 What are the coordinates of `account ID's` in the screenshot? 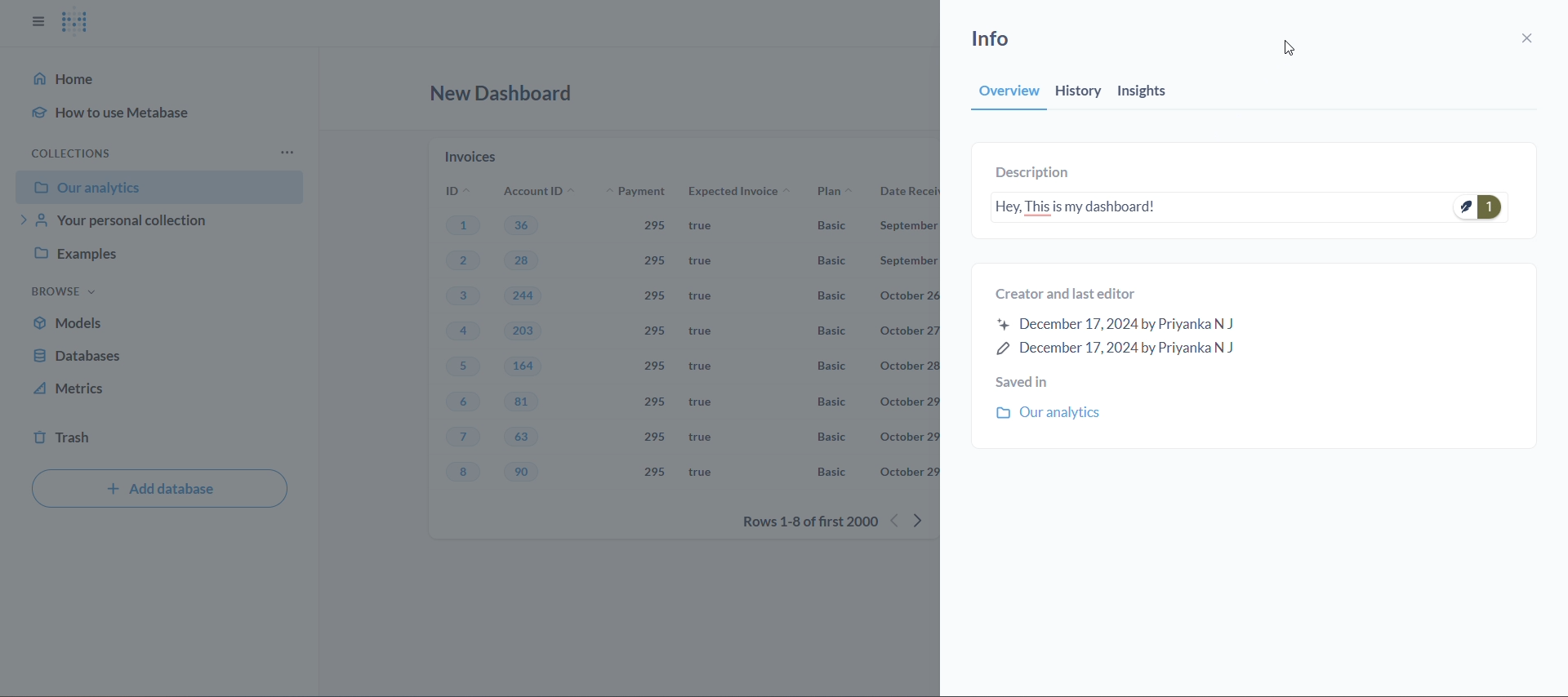 It's located at (537, 191).